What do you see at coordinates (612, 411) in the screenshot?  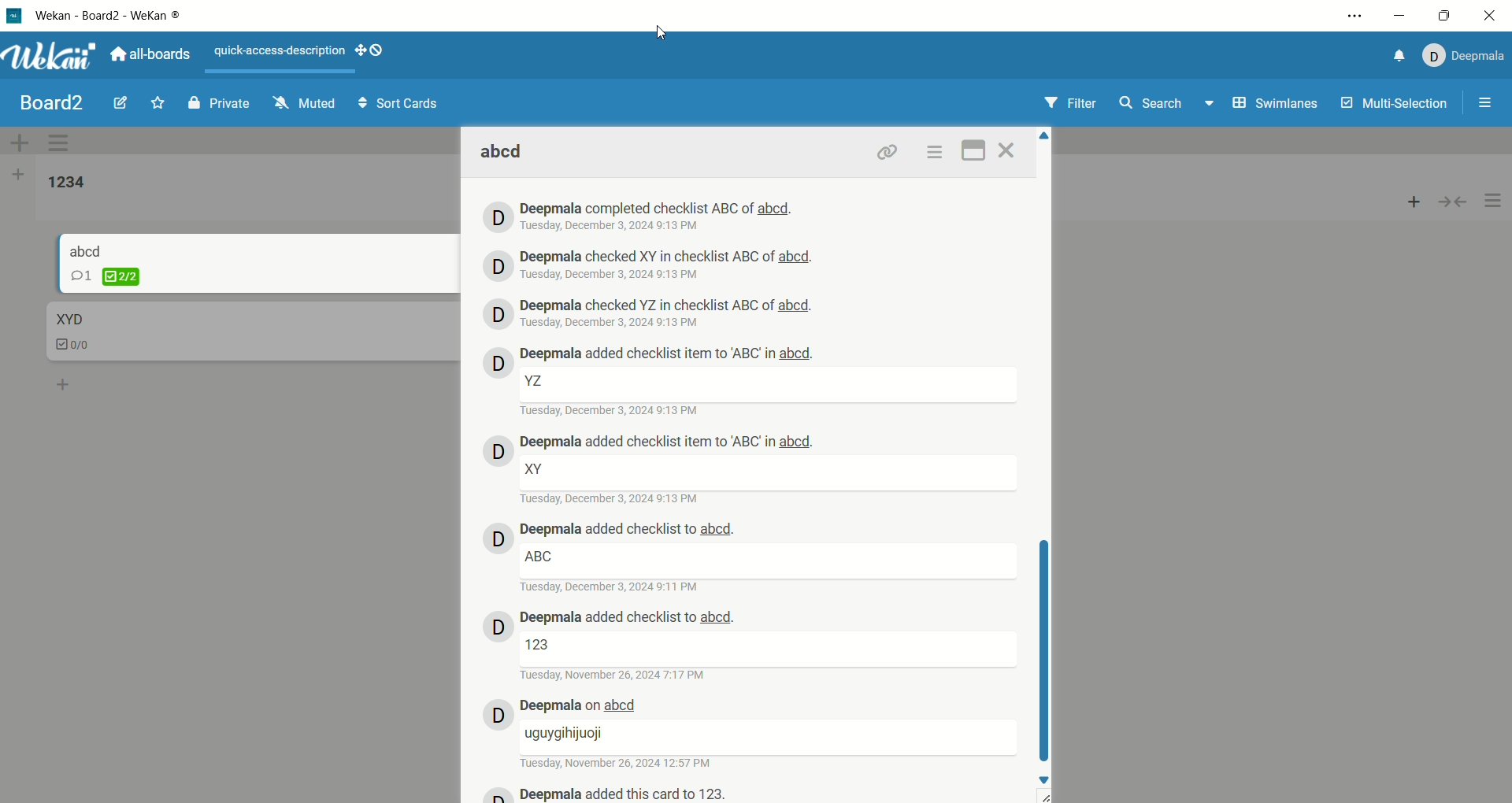 I see `date and time` at bounding box center [612, 411].